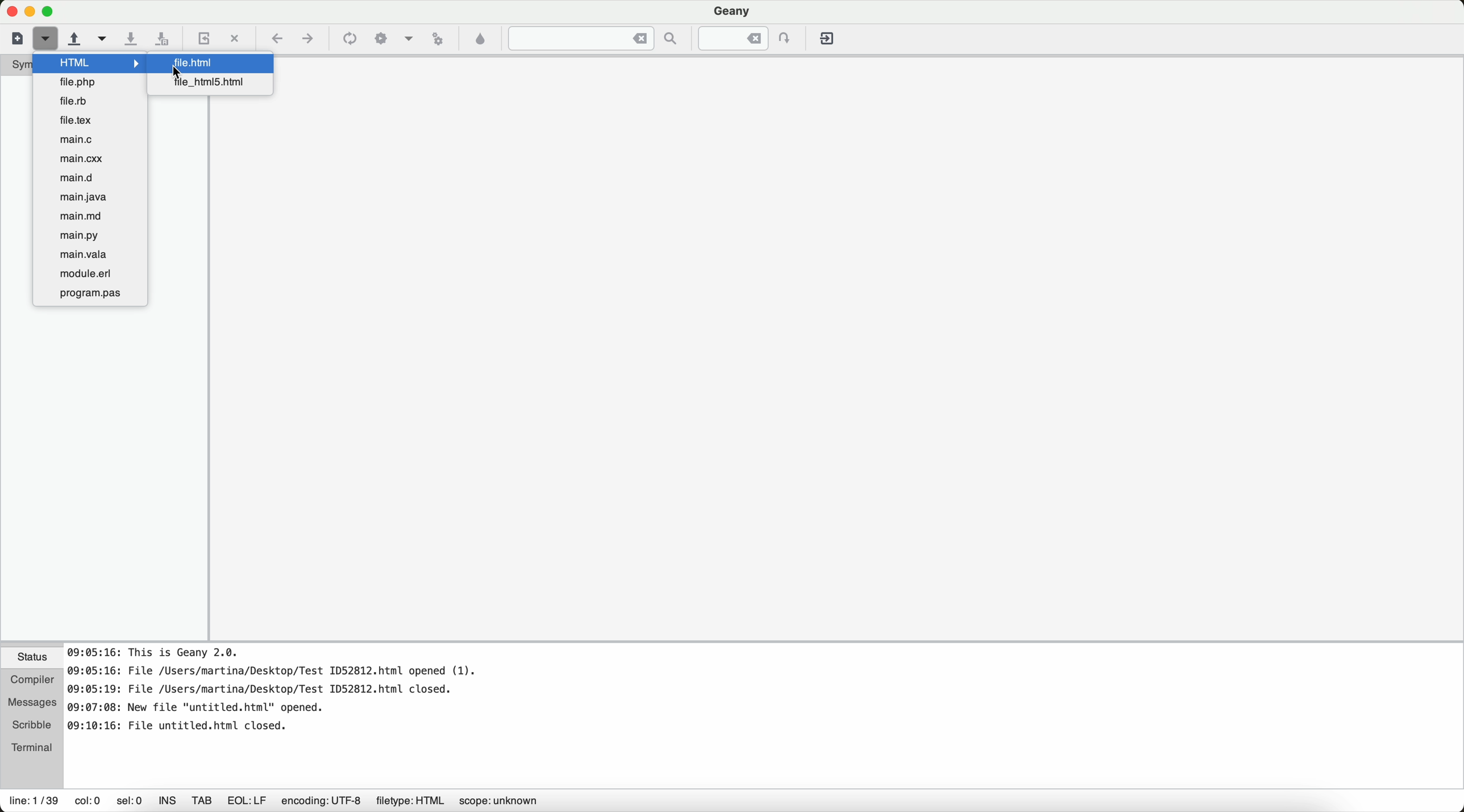  What do you see at coordinates (89, 61) in the screenshot?
I see `cursor on HTML` at bounding box center [89, 61].